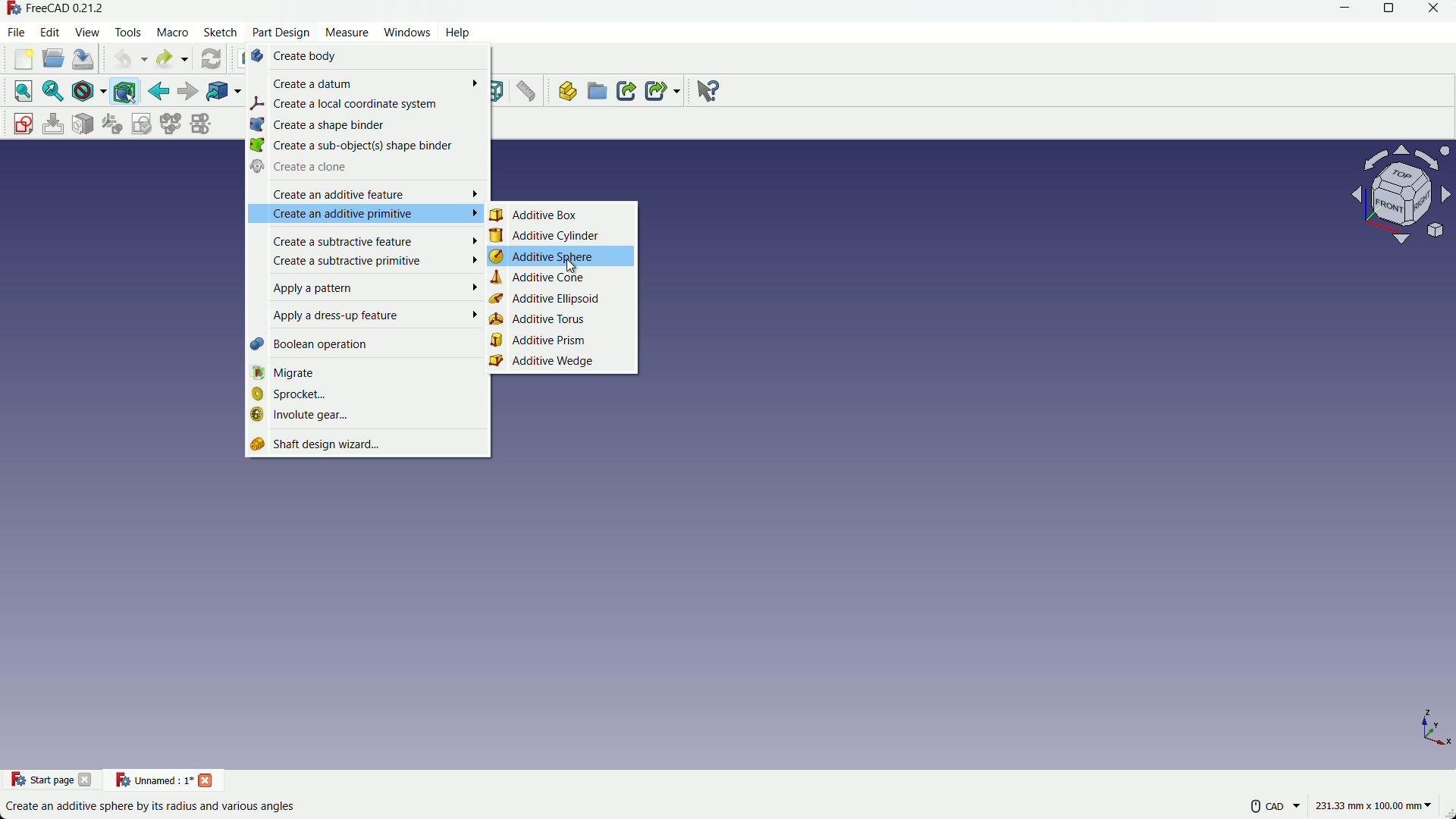 This screenshot has height=819, width=1456. Describe the element at coordinates (369, 58) in the screenshot. I see `create body` at that location.